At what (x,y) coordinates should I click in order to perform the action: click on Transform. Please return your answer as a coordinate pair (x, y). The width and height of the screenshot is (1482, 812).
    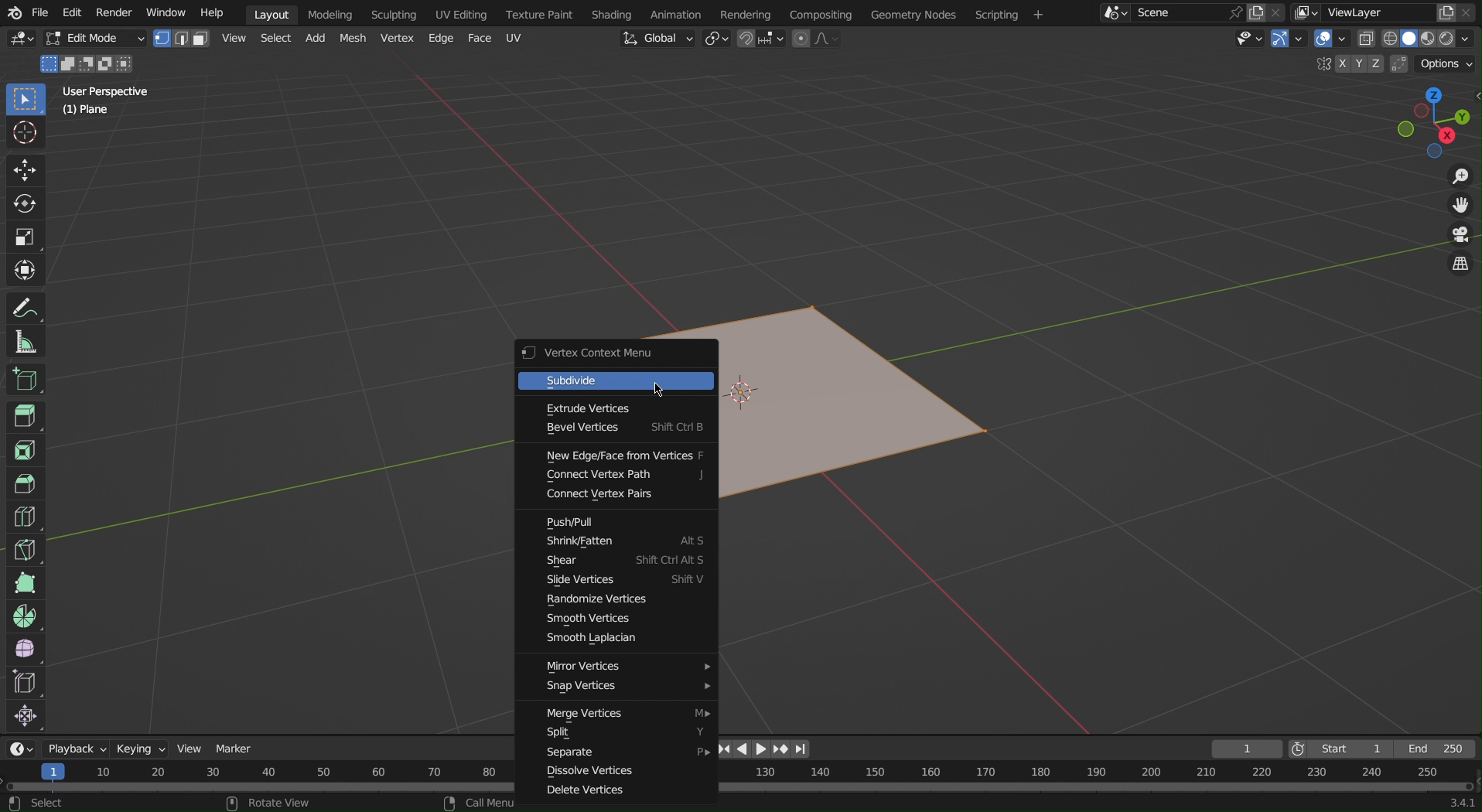
    Looking at the image, I should click on (27, 270).